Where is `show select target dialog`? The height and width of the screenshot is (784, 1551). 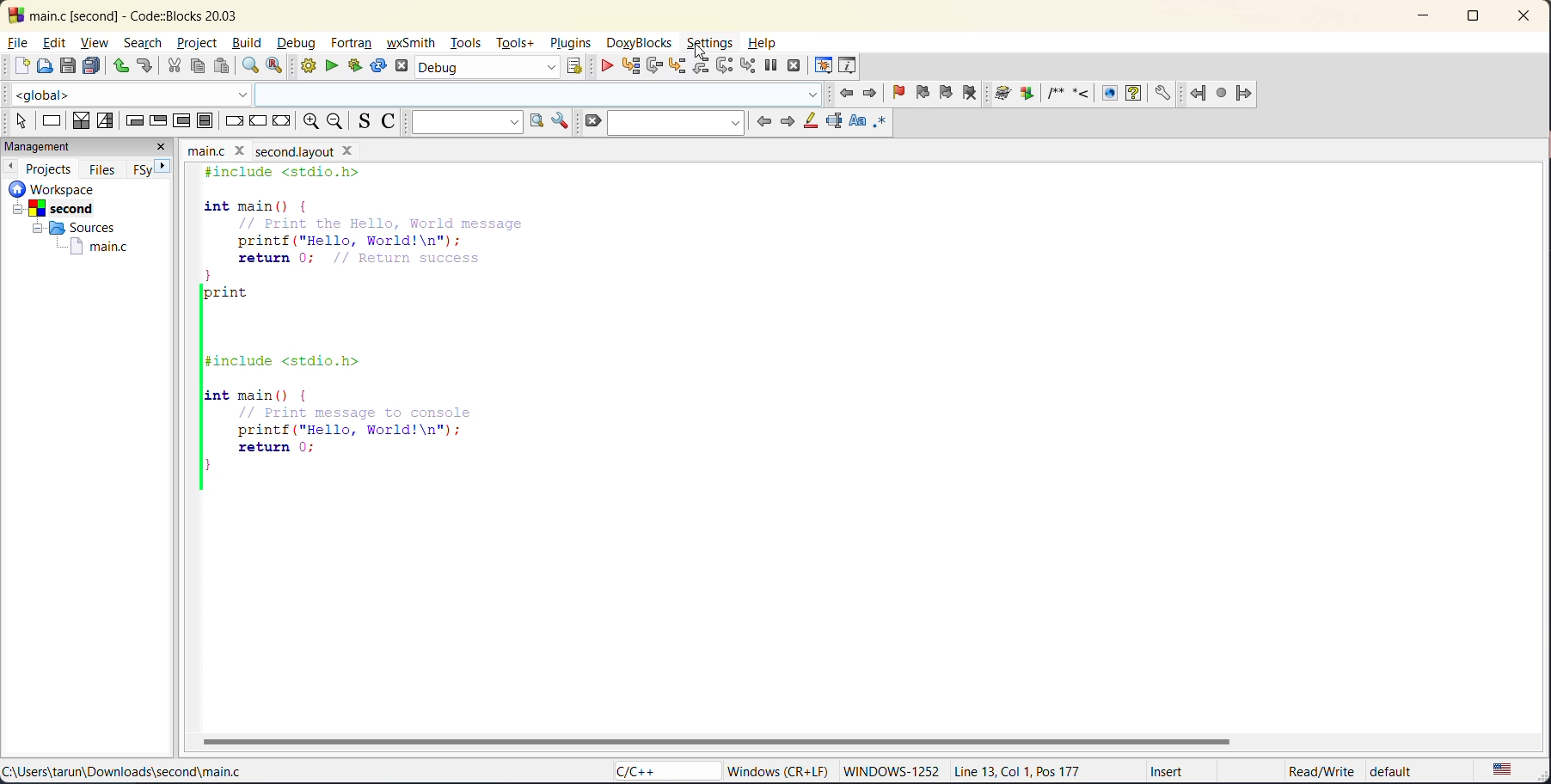 show select target dialog is located at coordinates (577, 69).